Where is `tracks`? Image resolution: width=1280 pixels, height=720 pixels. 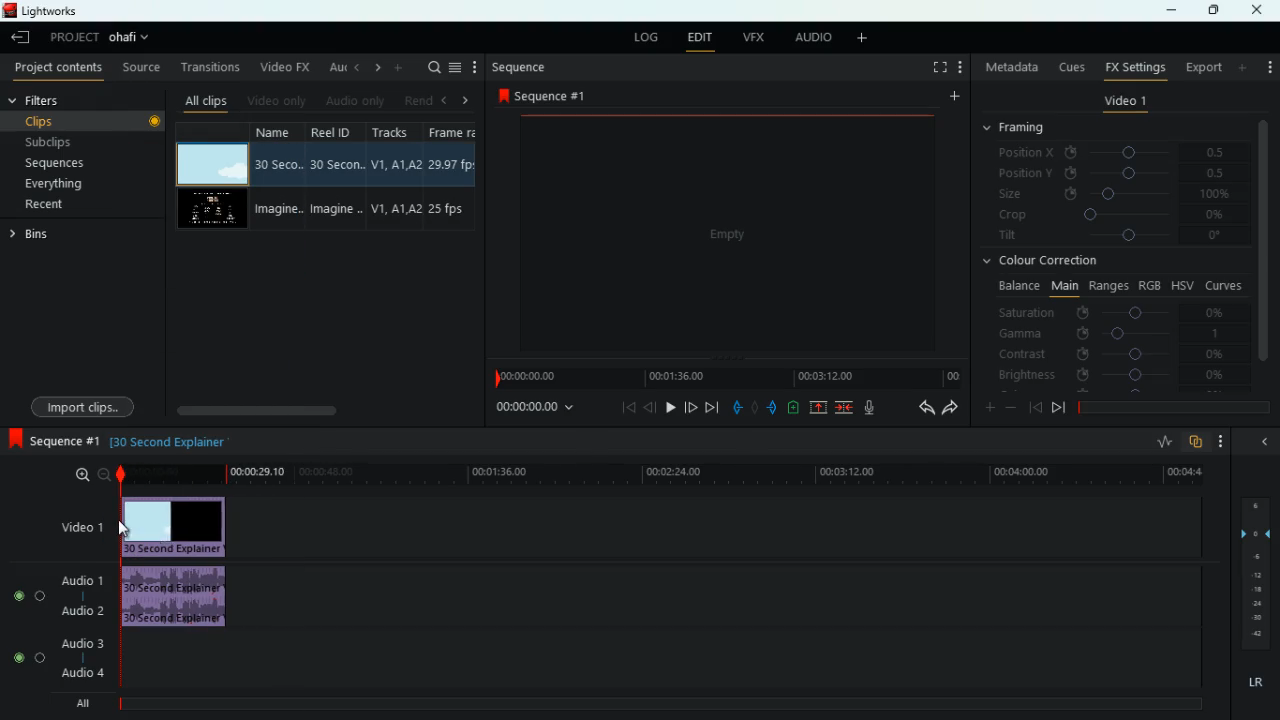 tracks is located at coordinates (390, 177).